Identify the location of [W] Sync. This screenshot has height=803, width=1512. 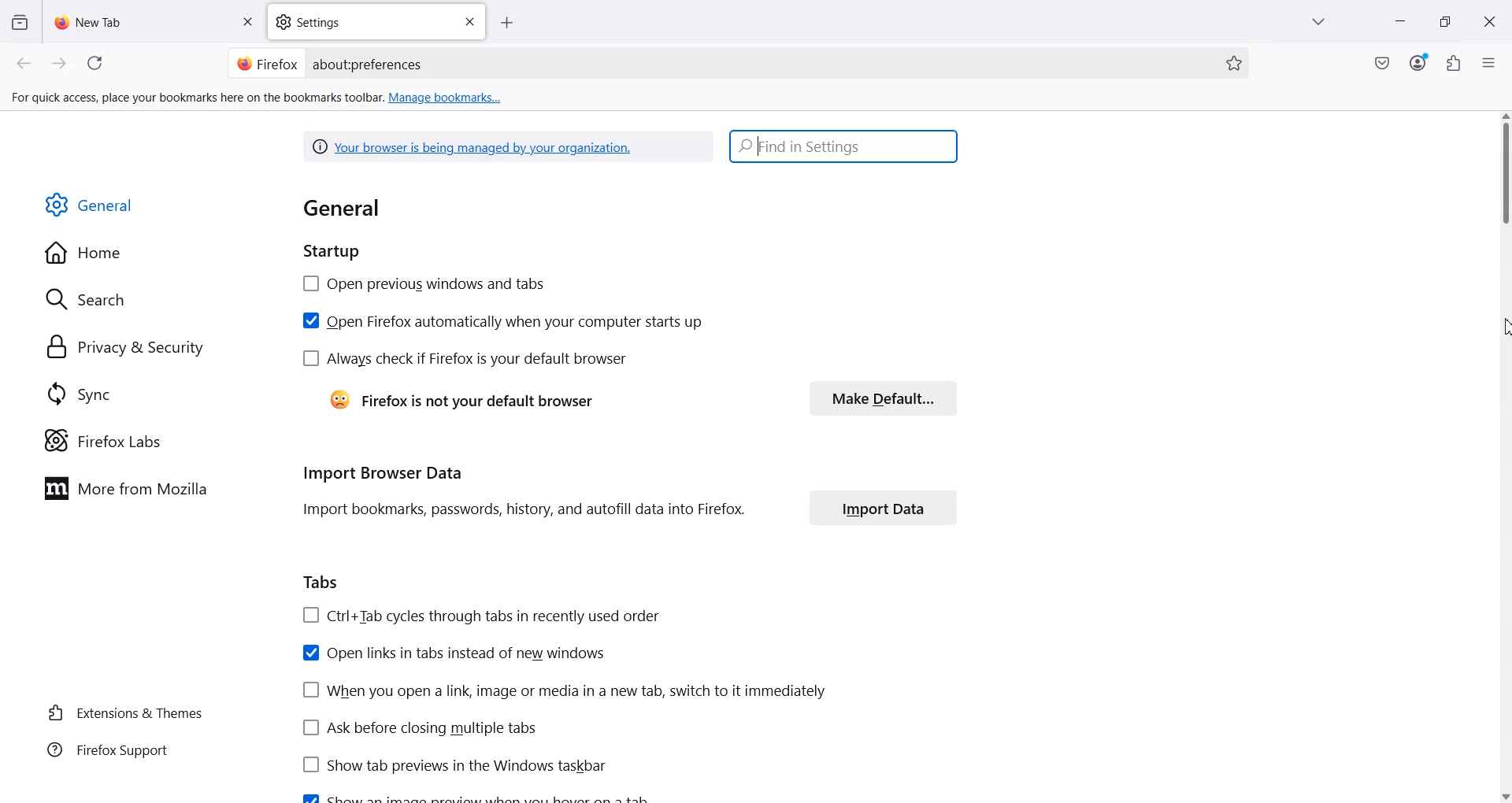
(76, 393).